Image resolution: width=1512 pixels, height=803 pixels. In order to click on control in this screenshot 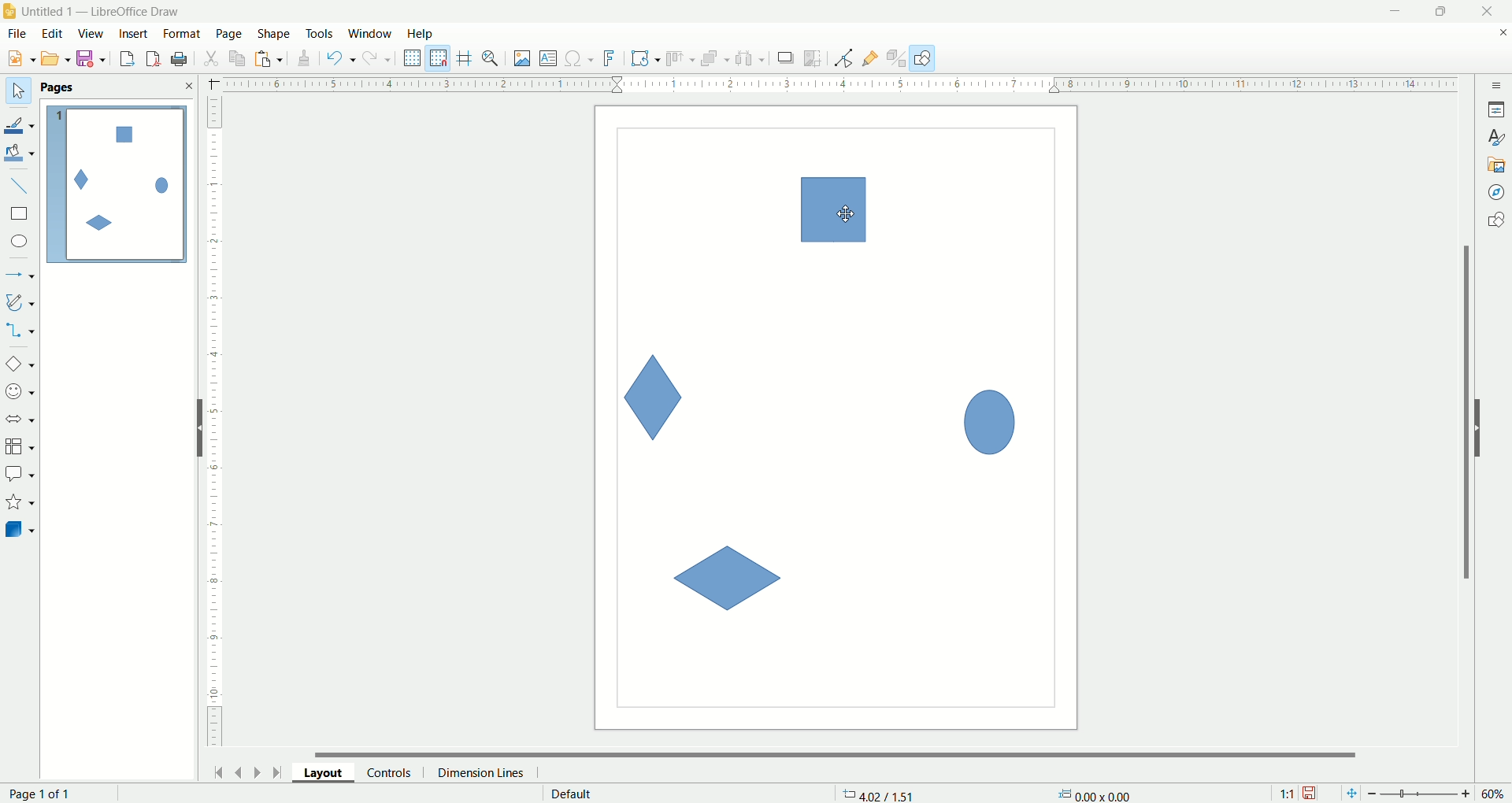, I will do `click(396, 772)`.